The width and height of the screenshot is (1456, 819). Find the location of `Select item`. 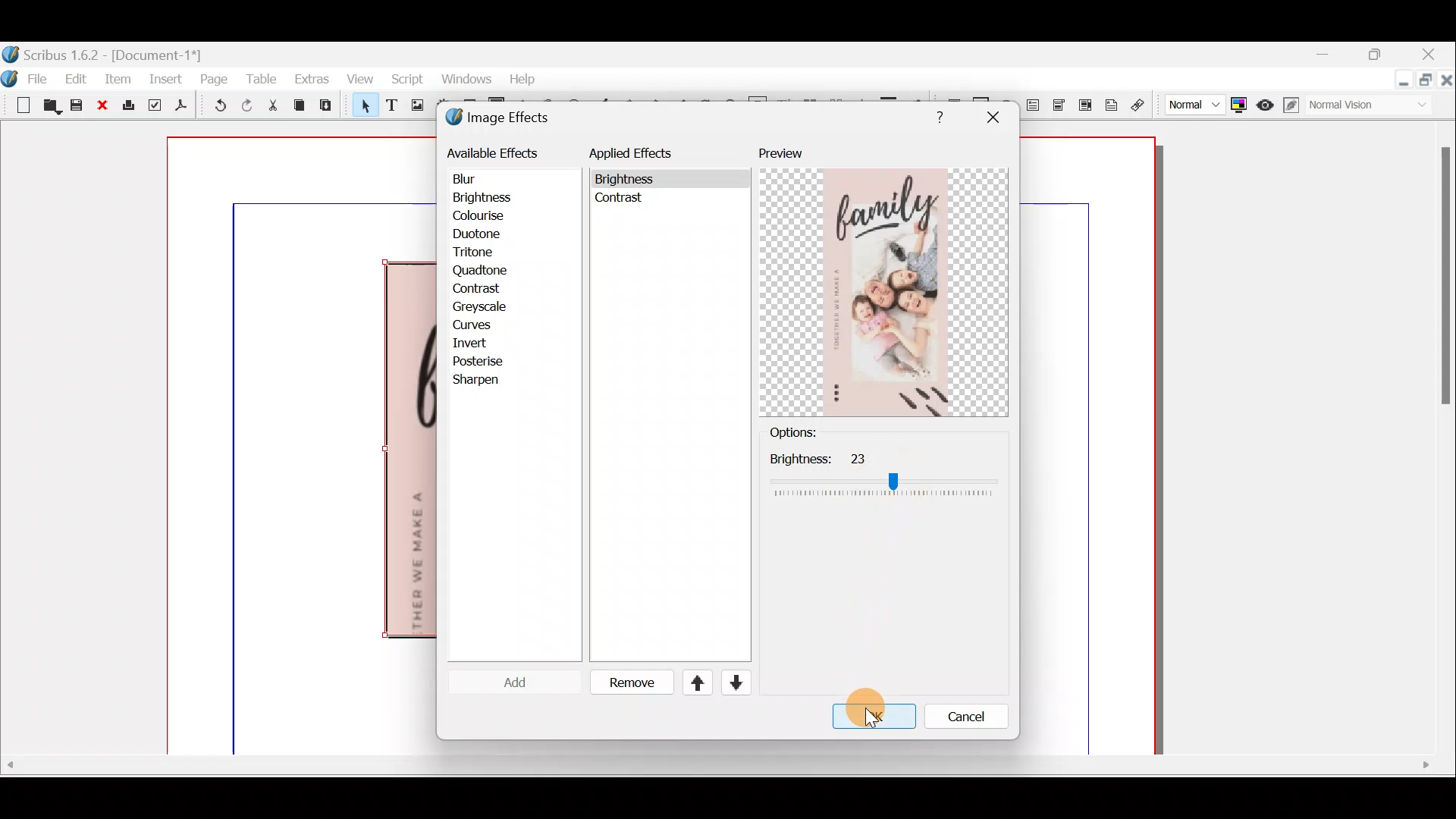

Select item is located at coordinates (362, 108).